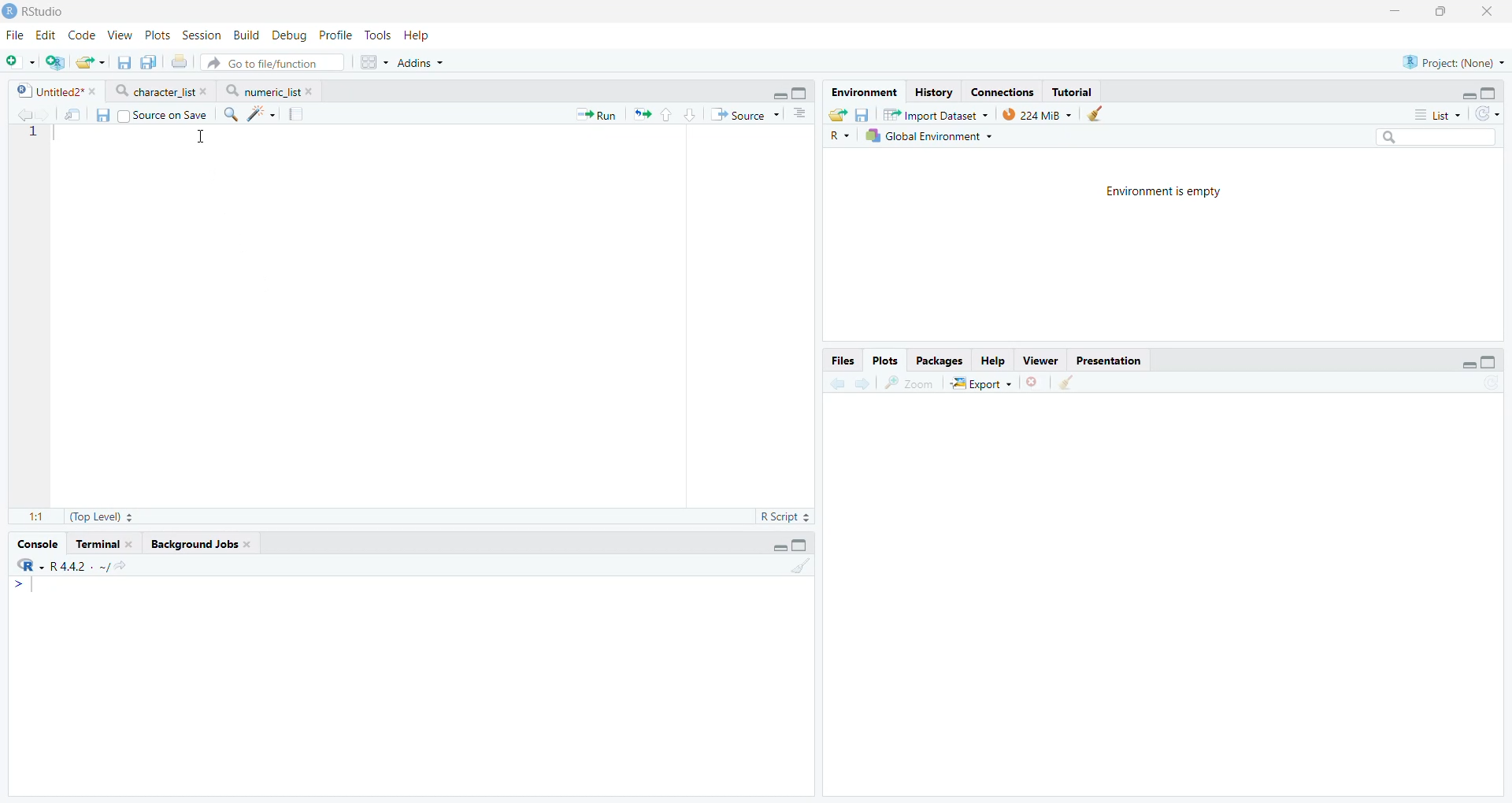  I want to click on Tools, so click(378, 35).